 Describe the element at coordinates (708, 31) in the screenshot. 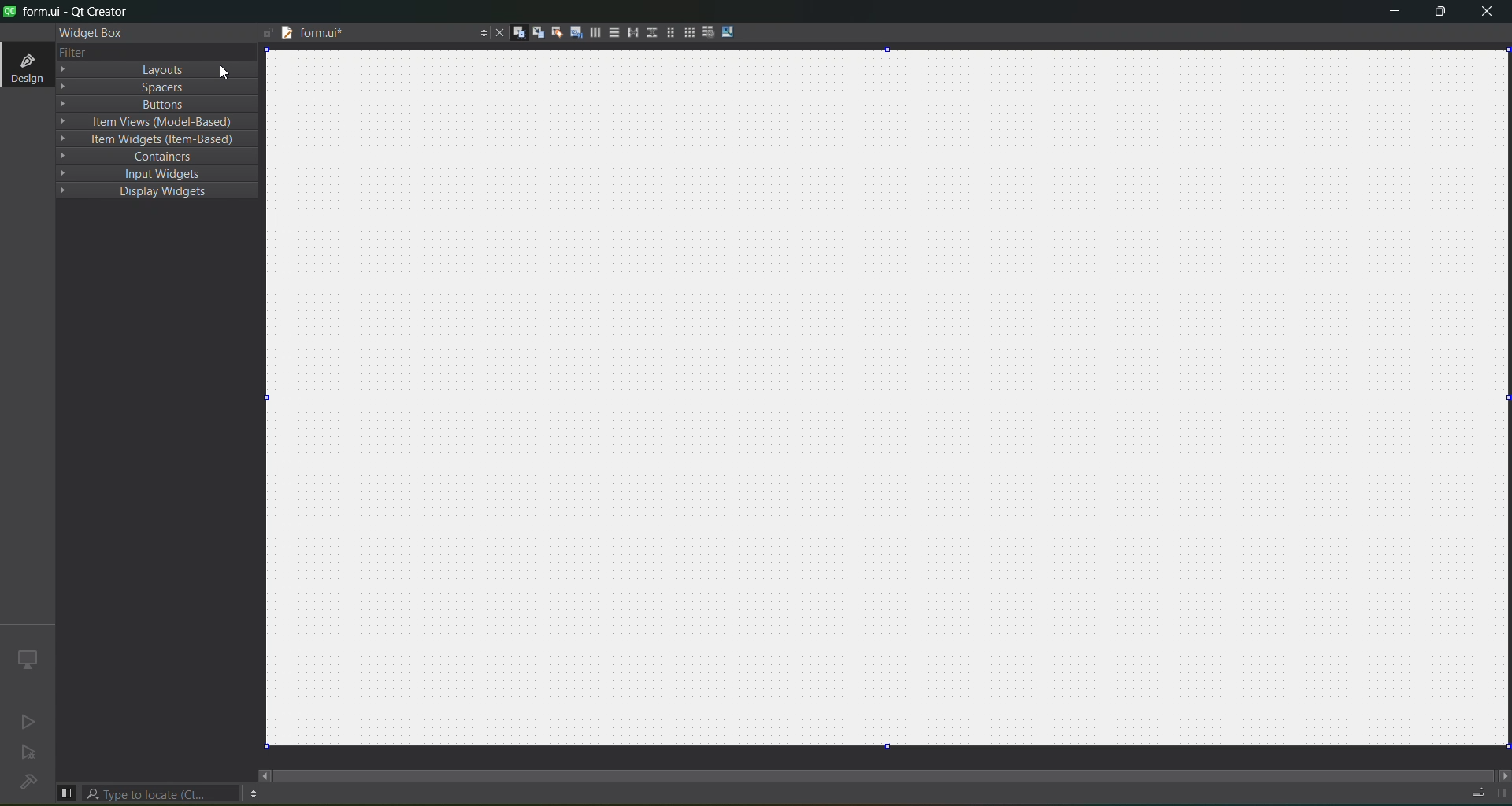

I see `break layout` at that location.